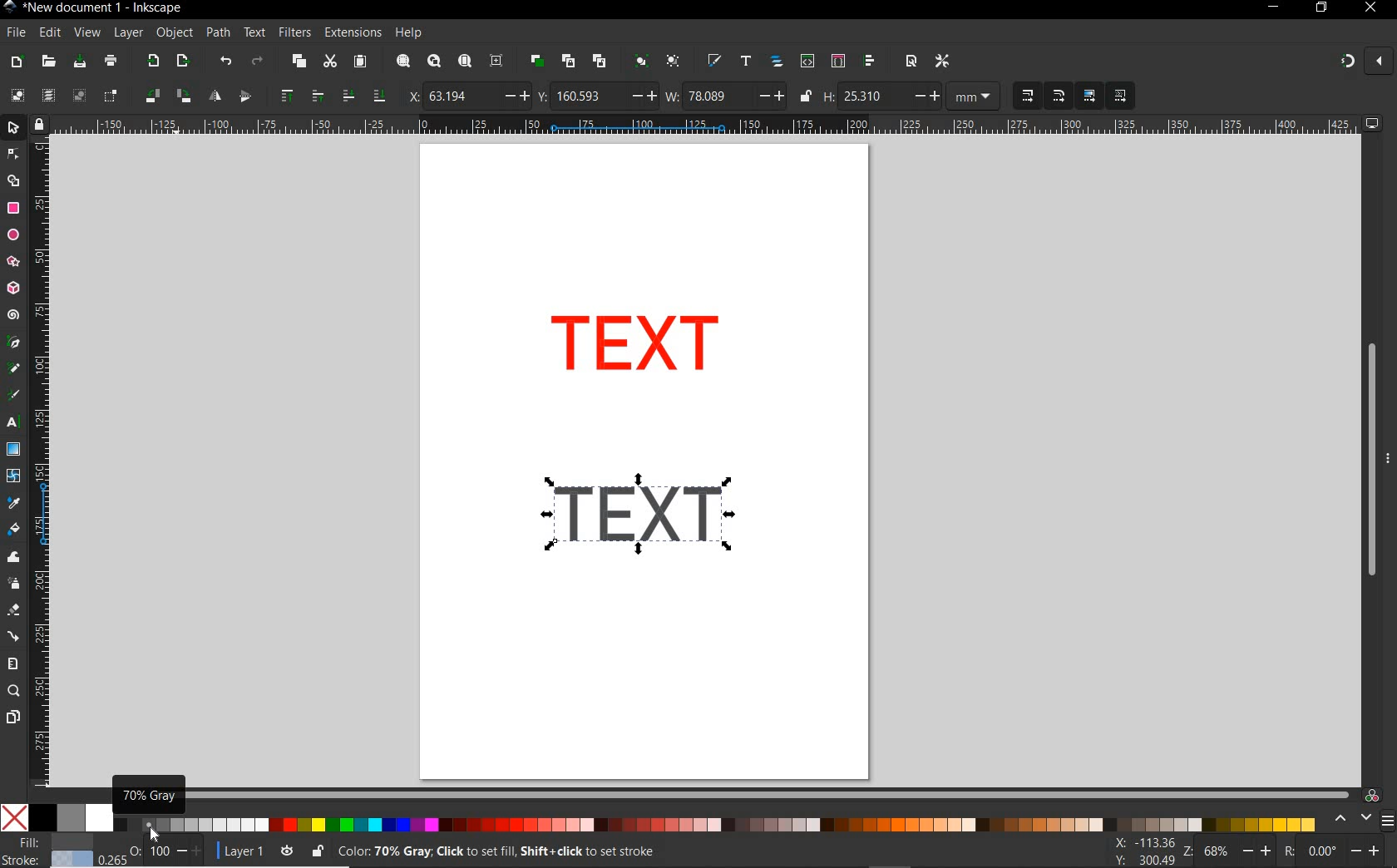 The image size is (1397, 868). I want to click on calligraphy tool, so click(17, 396).